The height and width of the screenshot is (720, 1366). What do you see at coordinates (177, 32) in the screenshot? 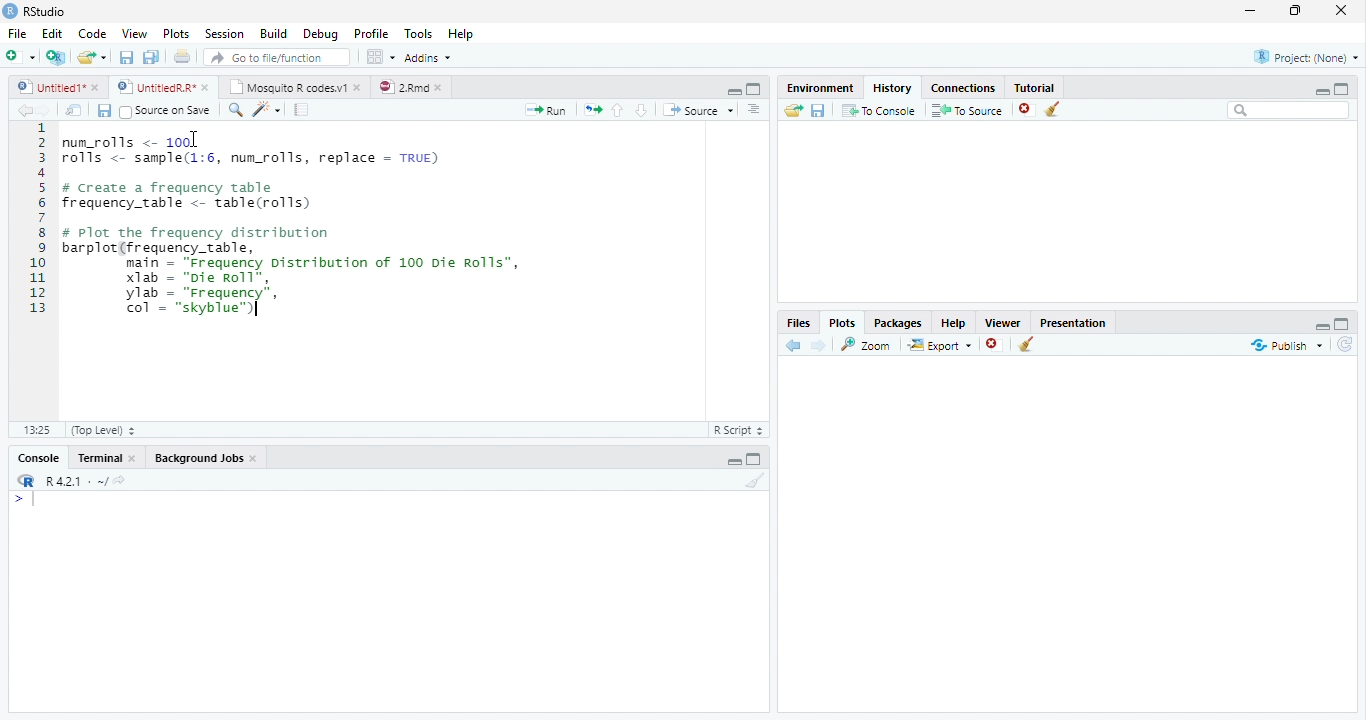
I see `Plots` at bounding box center [177, 32].